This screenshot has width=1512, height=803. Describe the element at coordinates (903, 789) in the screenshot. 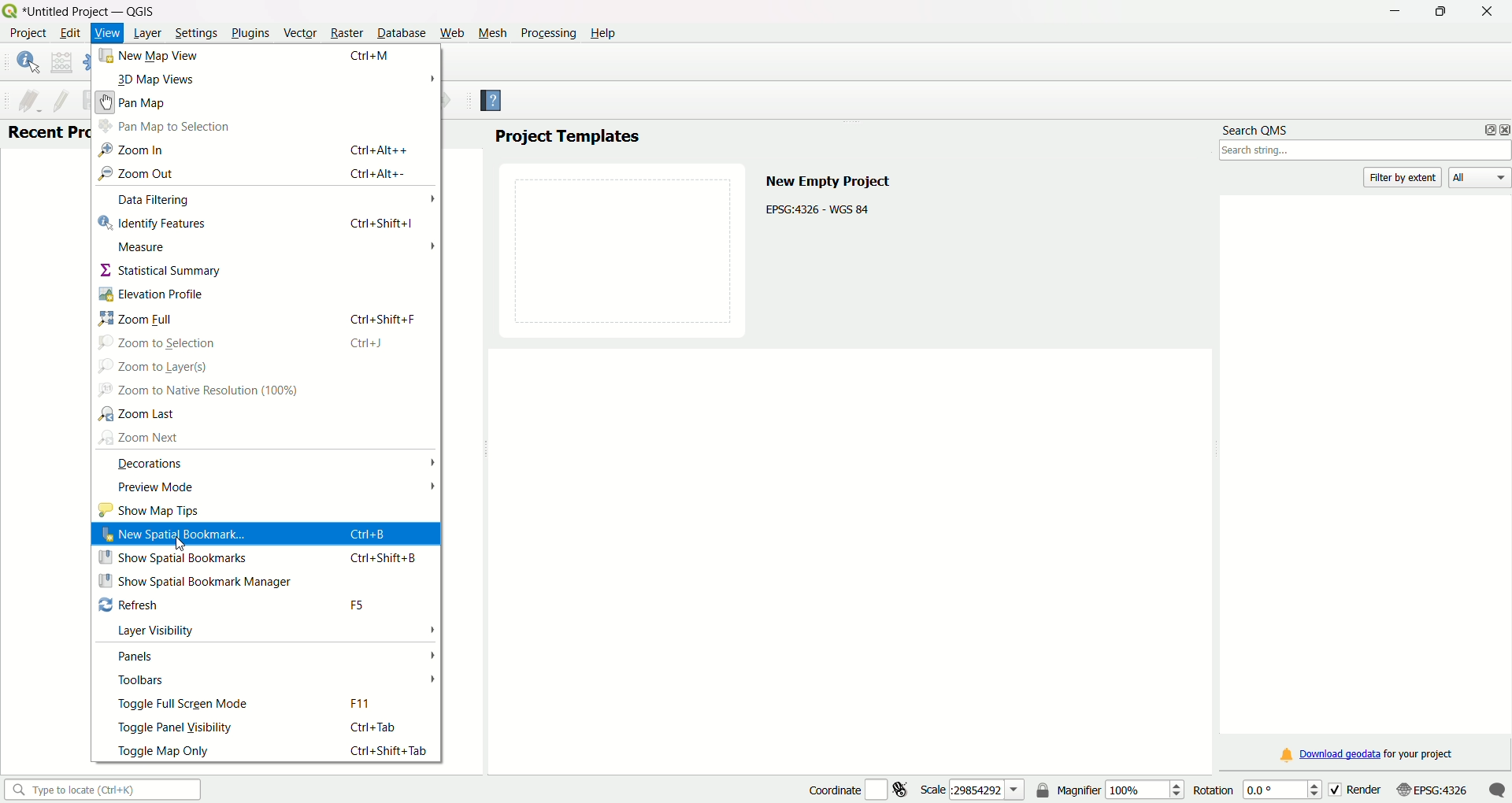

I see `toggle extents` at that location.